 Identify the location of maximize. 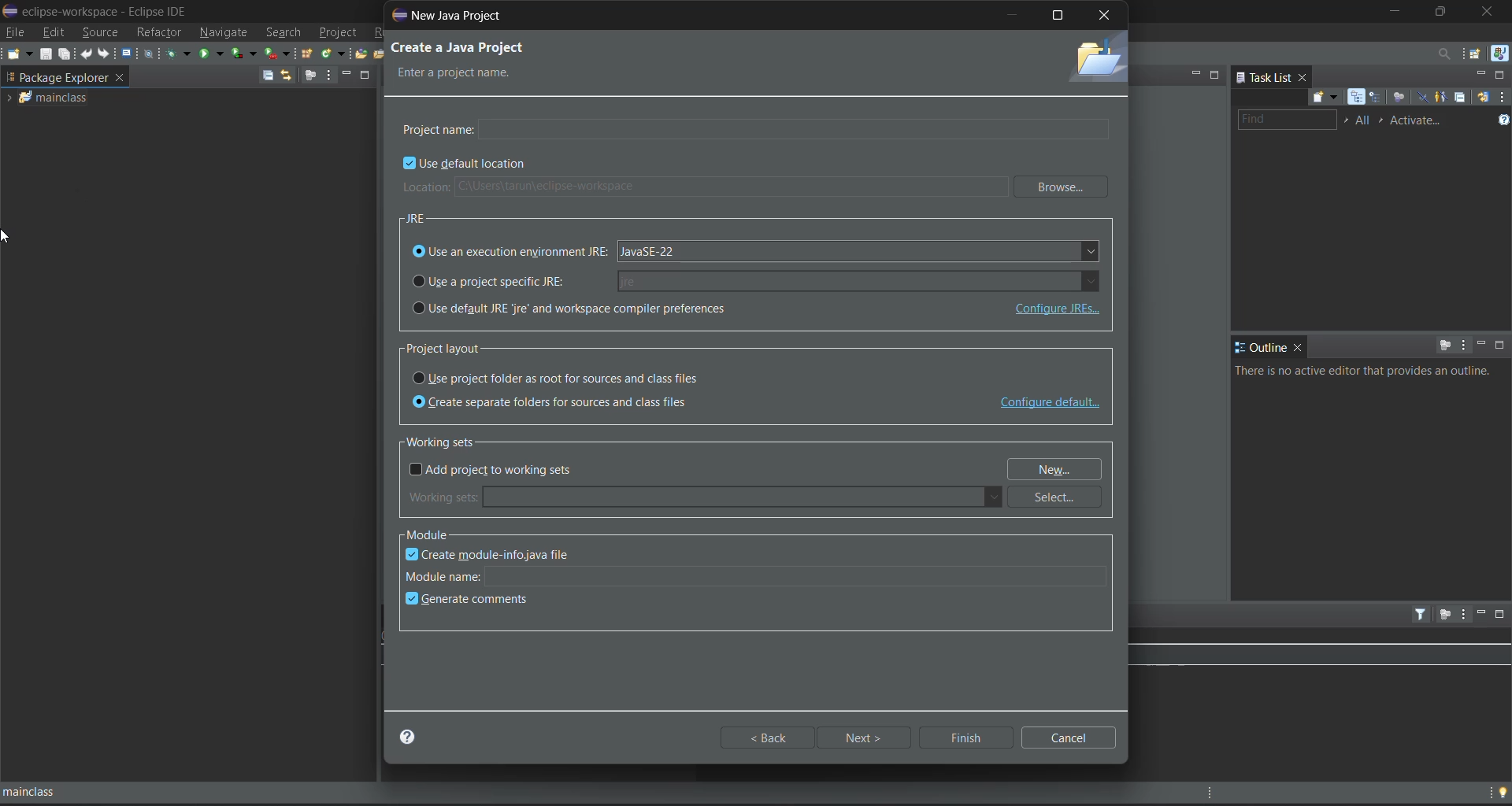
(1216, 73).